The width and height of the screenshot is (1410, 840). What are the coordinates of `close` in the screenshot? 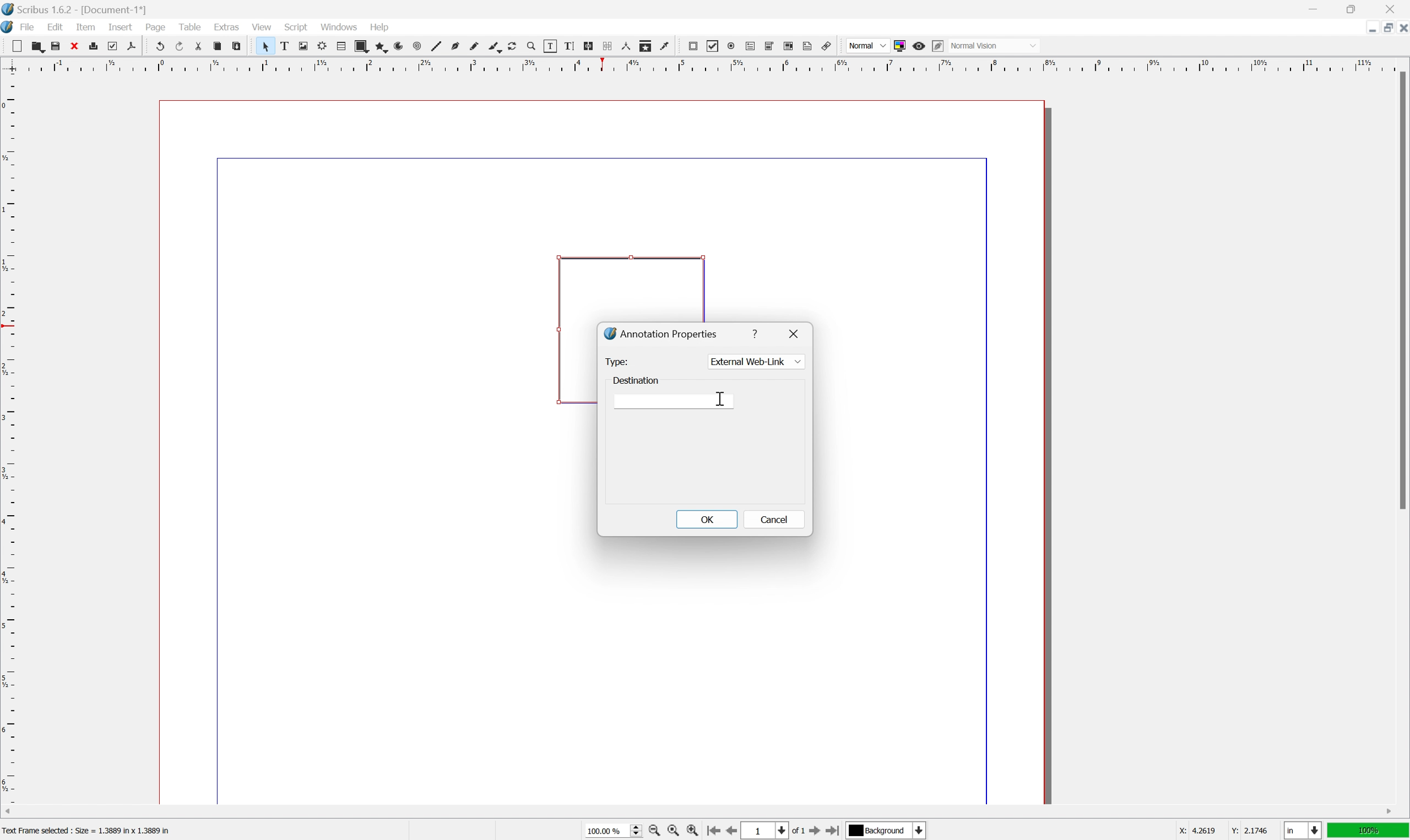 It's located at (1401, 30).